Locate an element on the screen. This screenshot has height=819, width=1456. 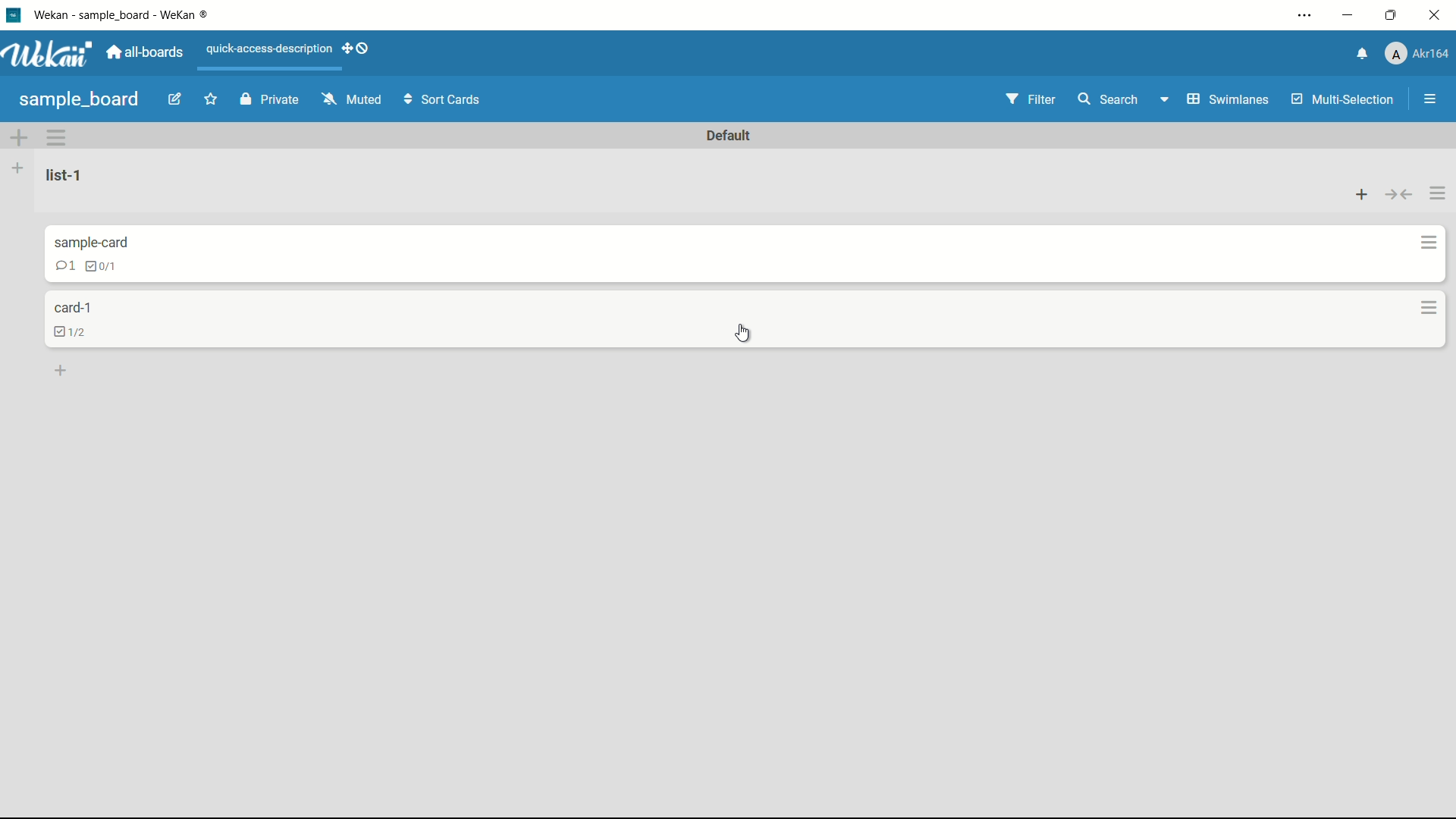
edit is located at coordinates (171, 99).